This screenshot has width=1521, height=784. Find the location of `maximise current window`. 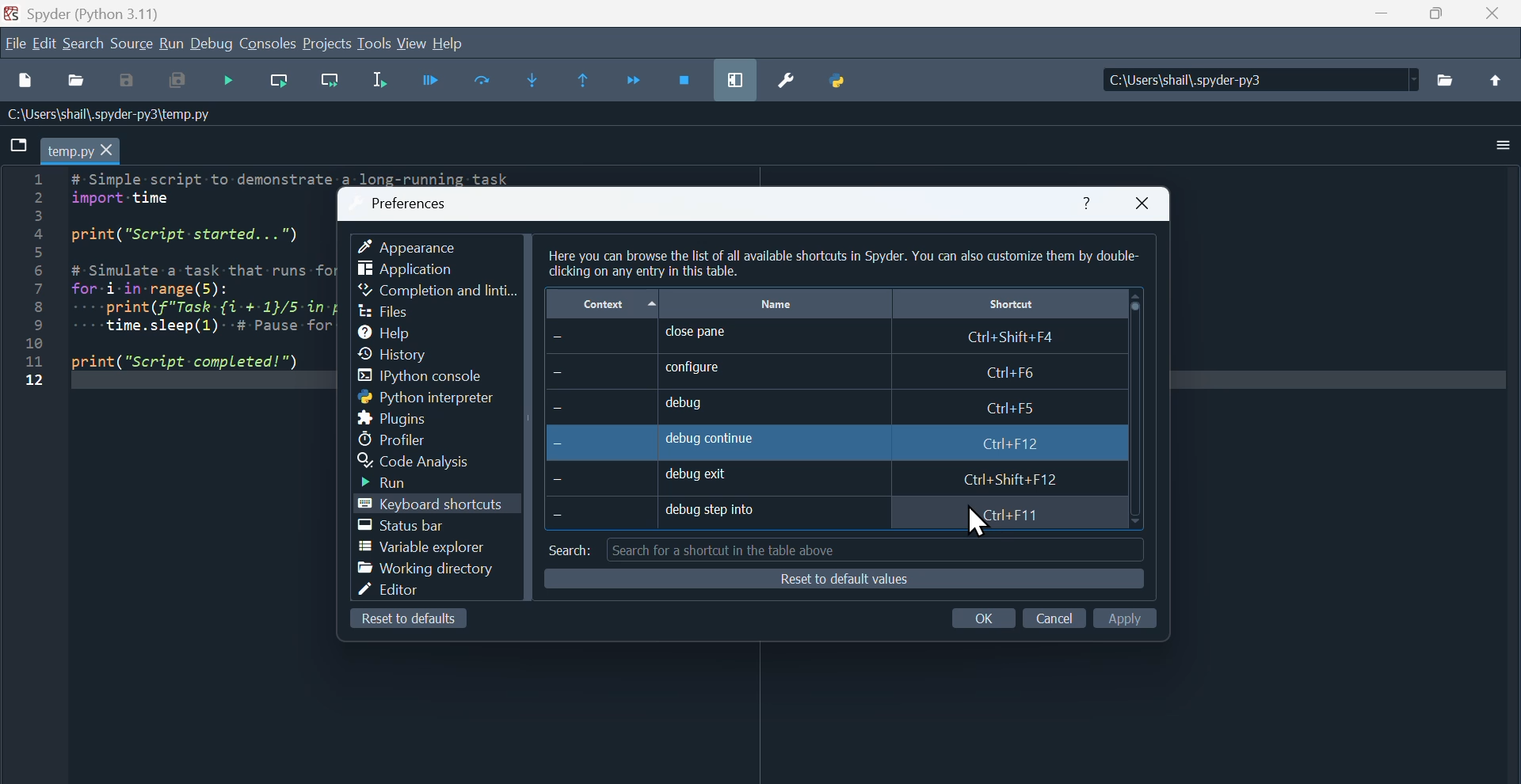

maximise current window is located at coordinates (734, 77).